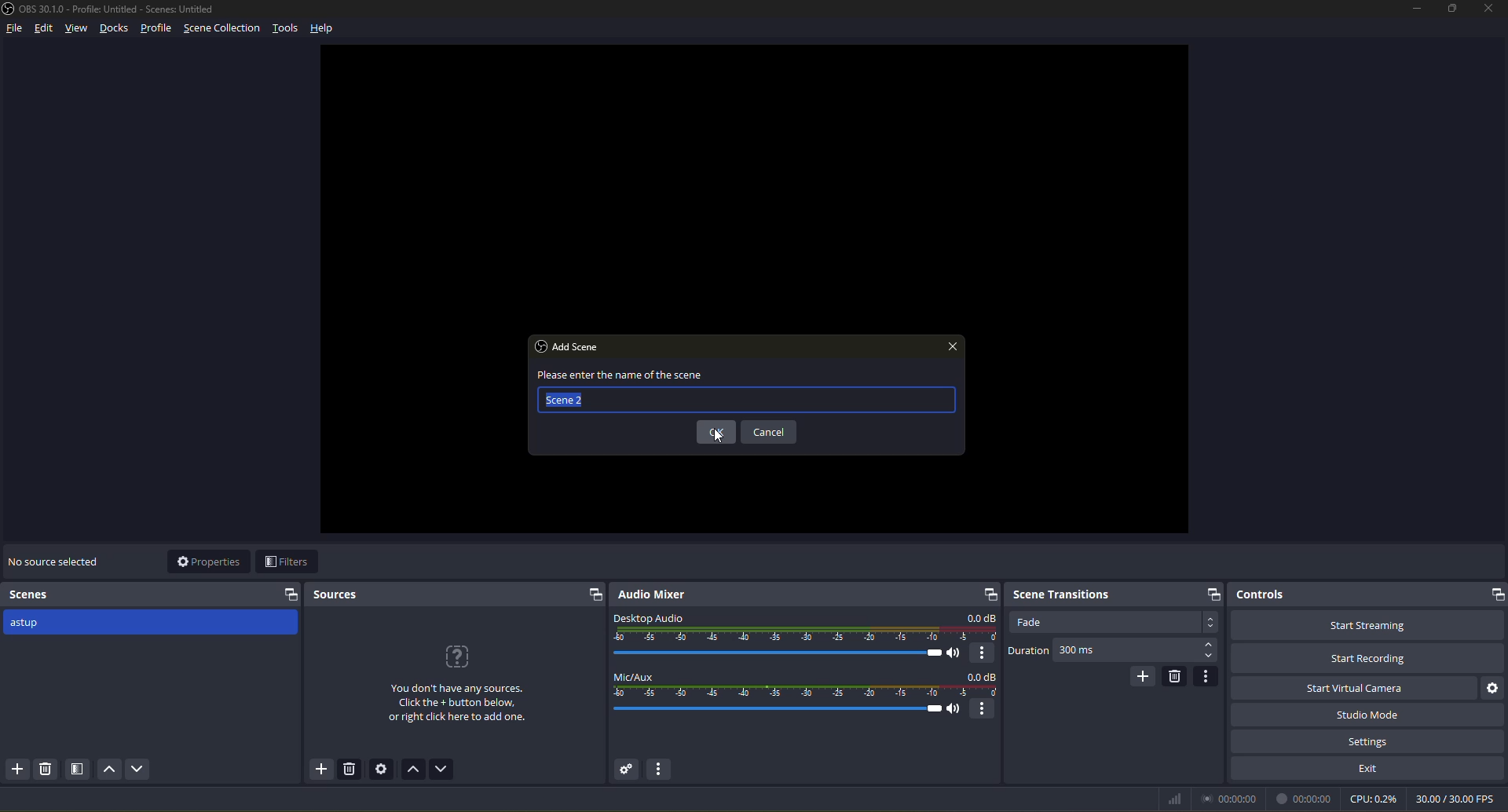 The height and width of the screenshot is (812, 1508). I want to click on sound level, so click(775, 653).